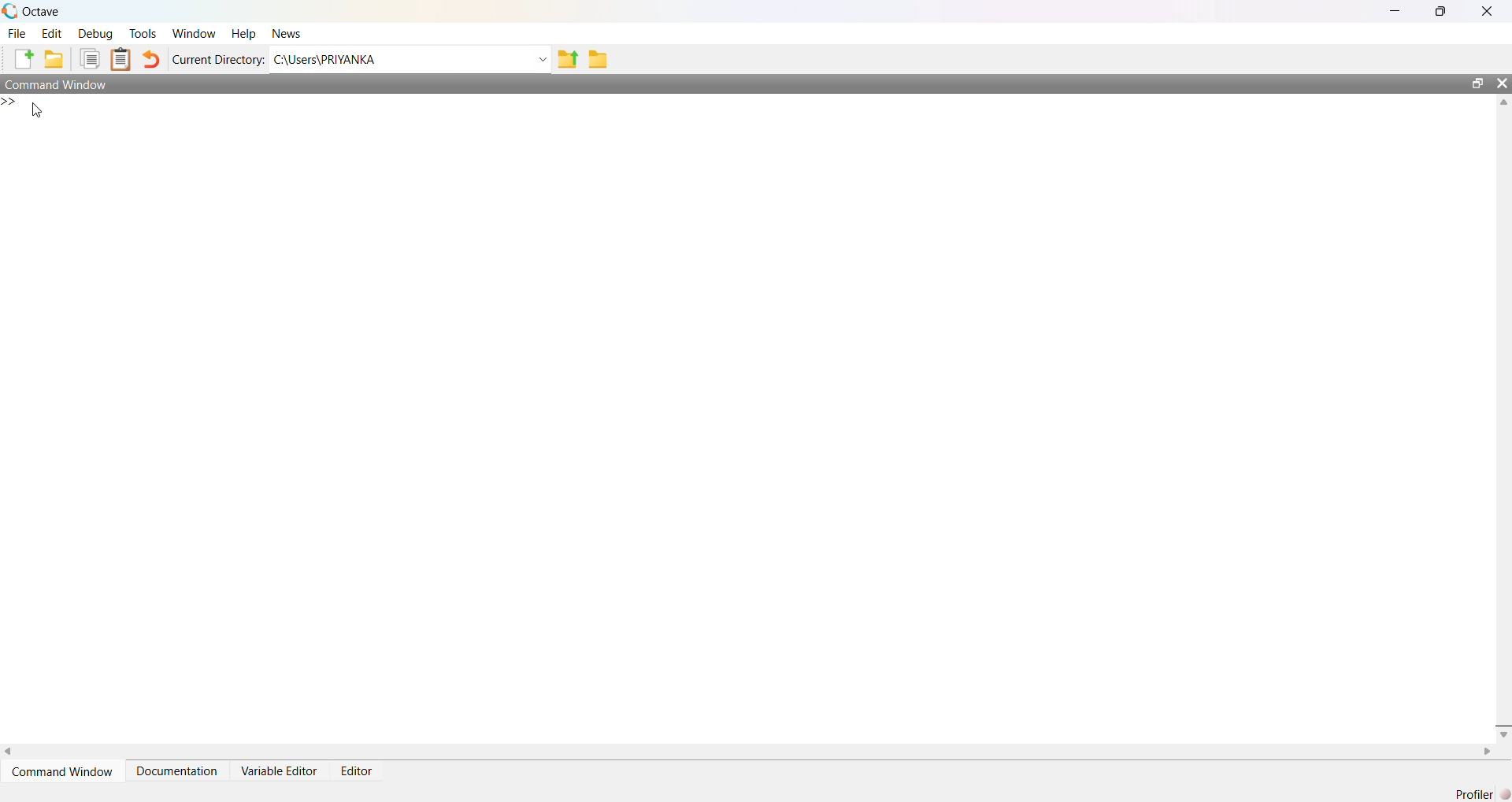 The width and height of the screenshot is (1512, 802). I want to click on Command window, so click(56, 84).